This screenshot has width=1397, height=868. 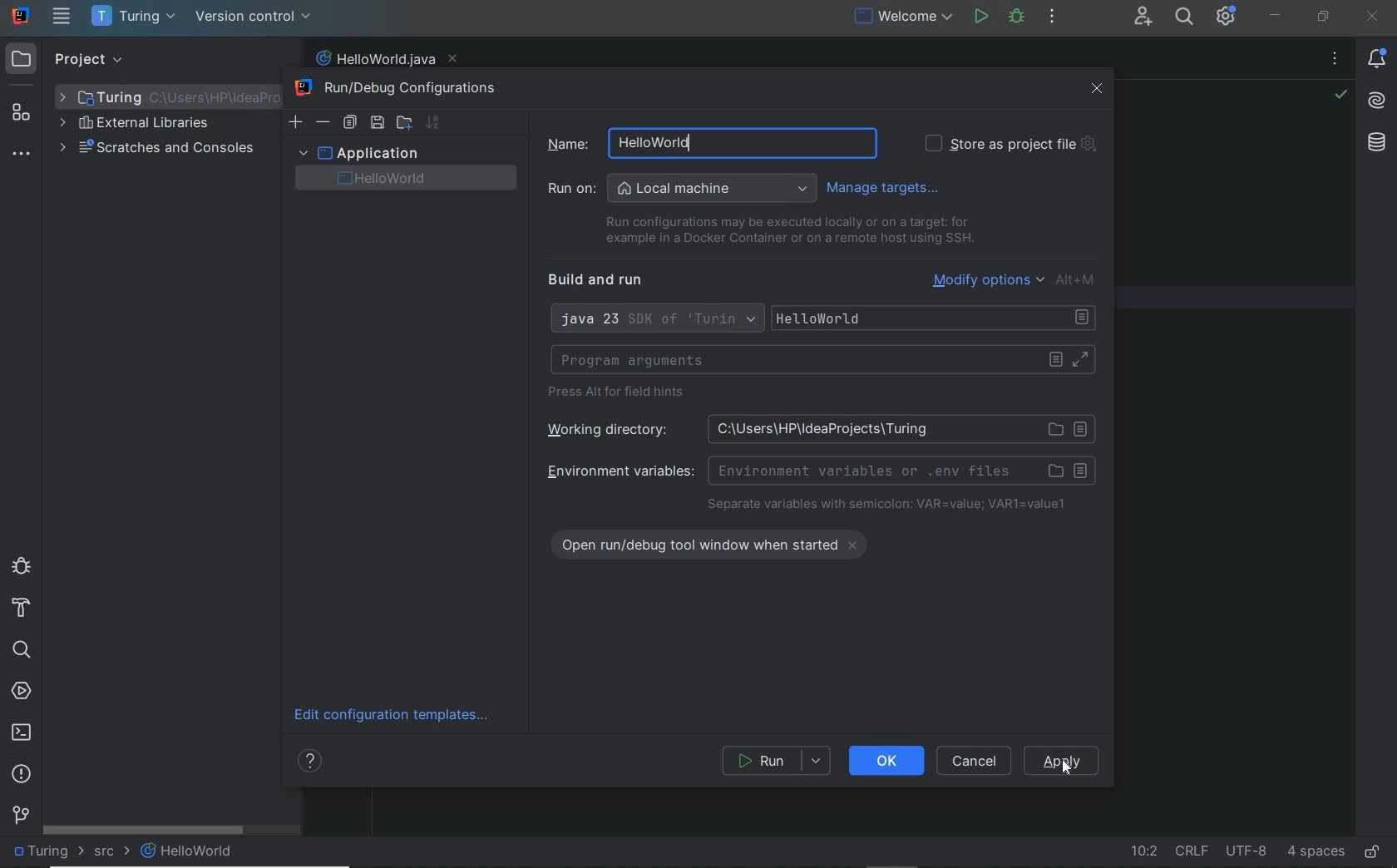 I want to click on Run On, so click(x=682, y=189).